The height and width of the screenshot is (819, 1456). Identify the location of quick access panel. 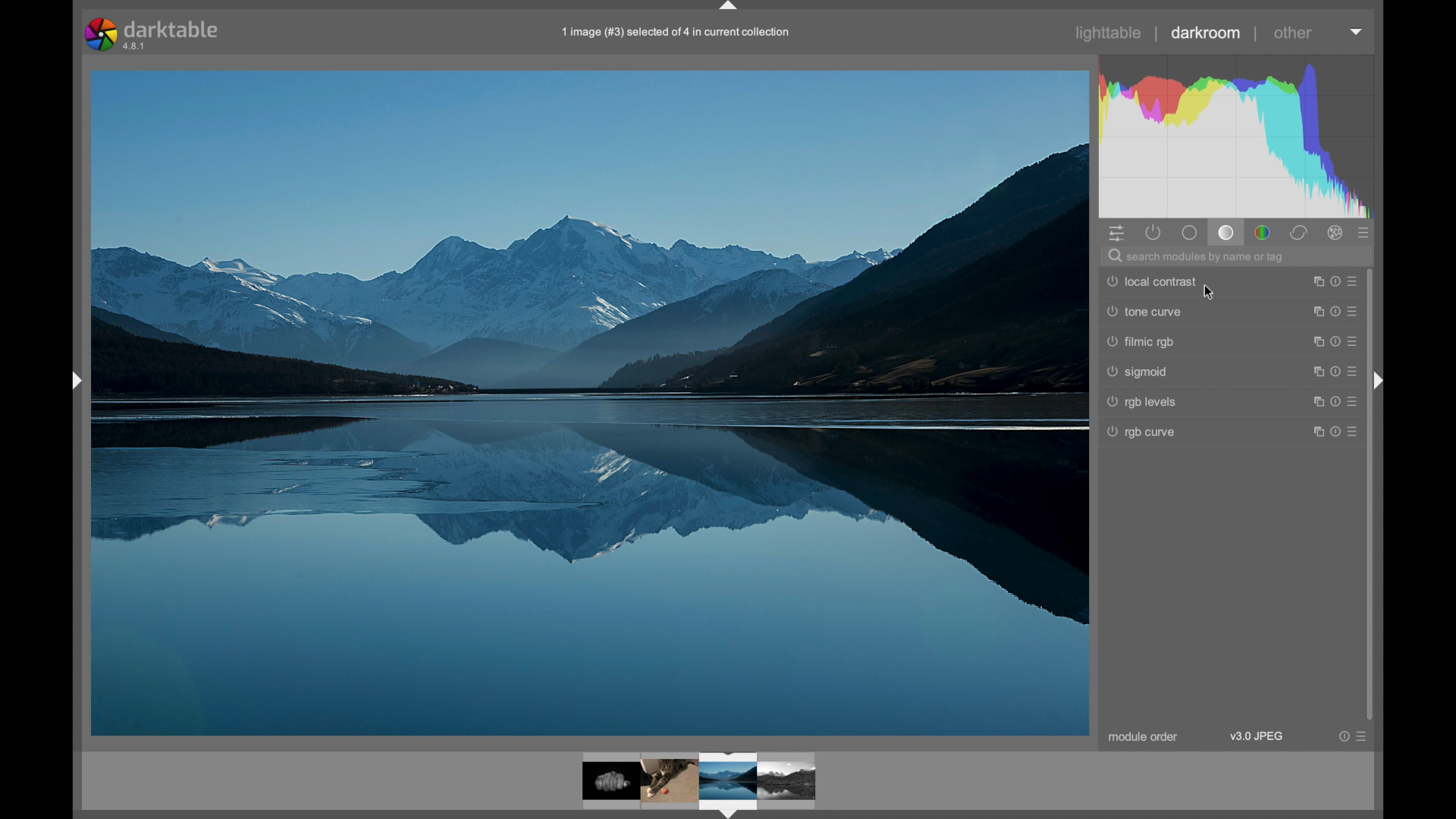
(1118, 234).